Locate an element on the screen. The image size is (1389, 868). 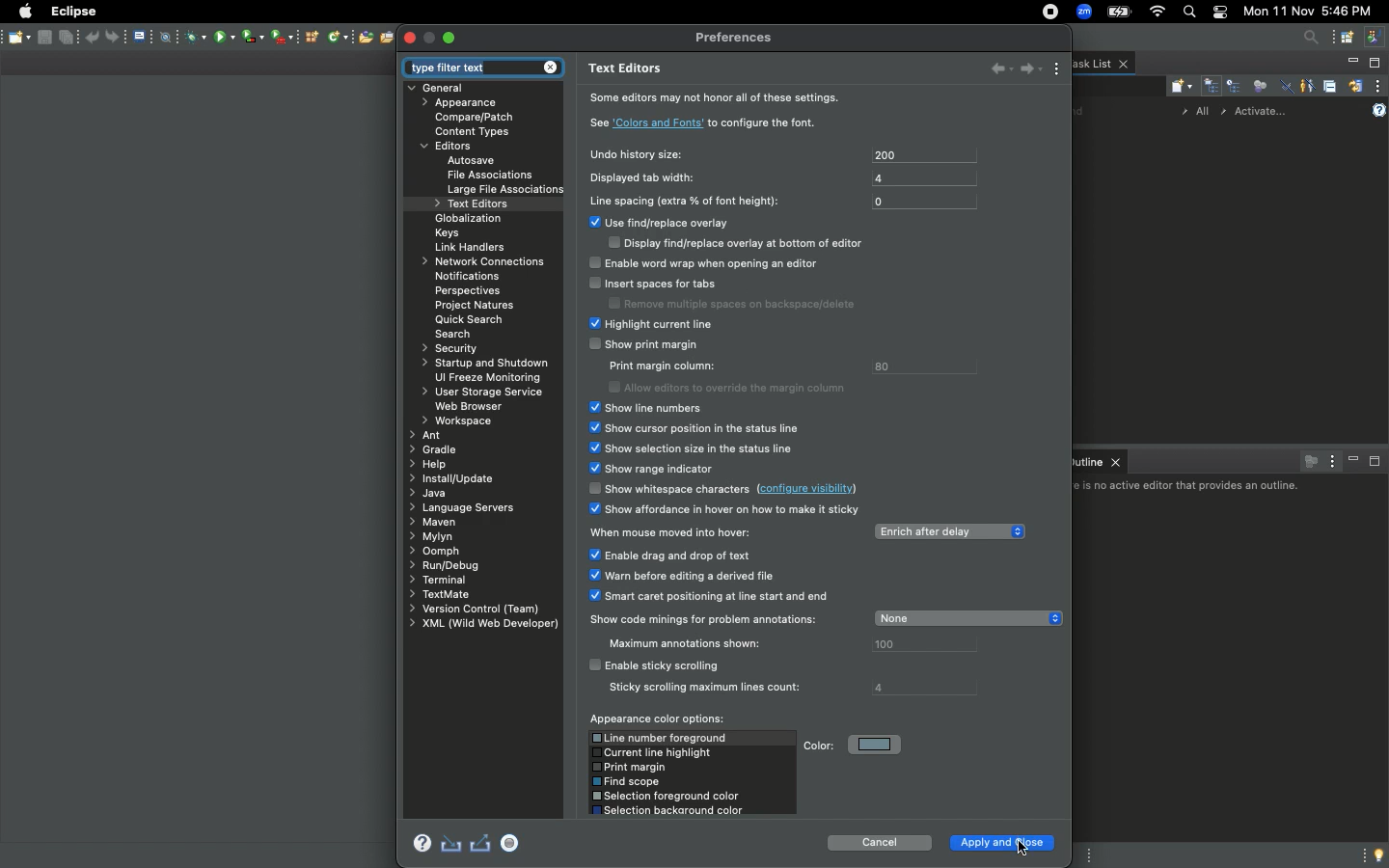
4 is located at coordinates (923, 685).